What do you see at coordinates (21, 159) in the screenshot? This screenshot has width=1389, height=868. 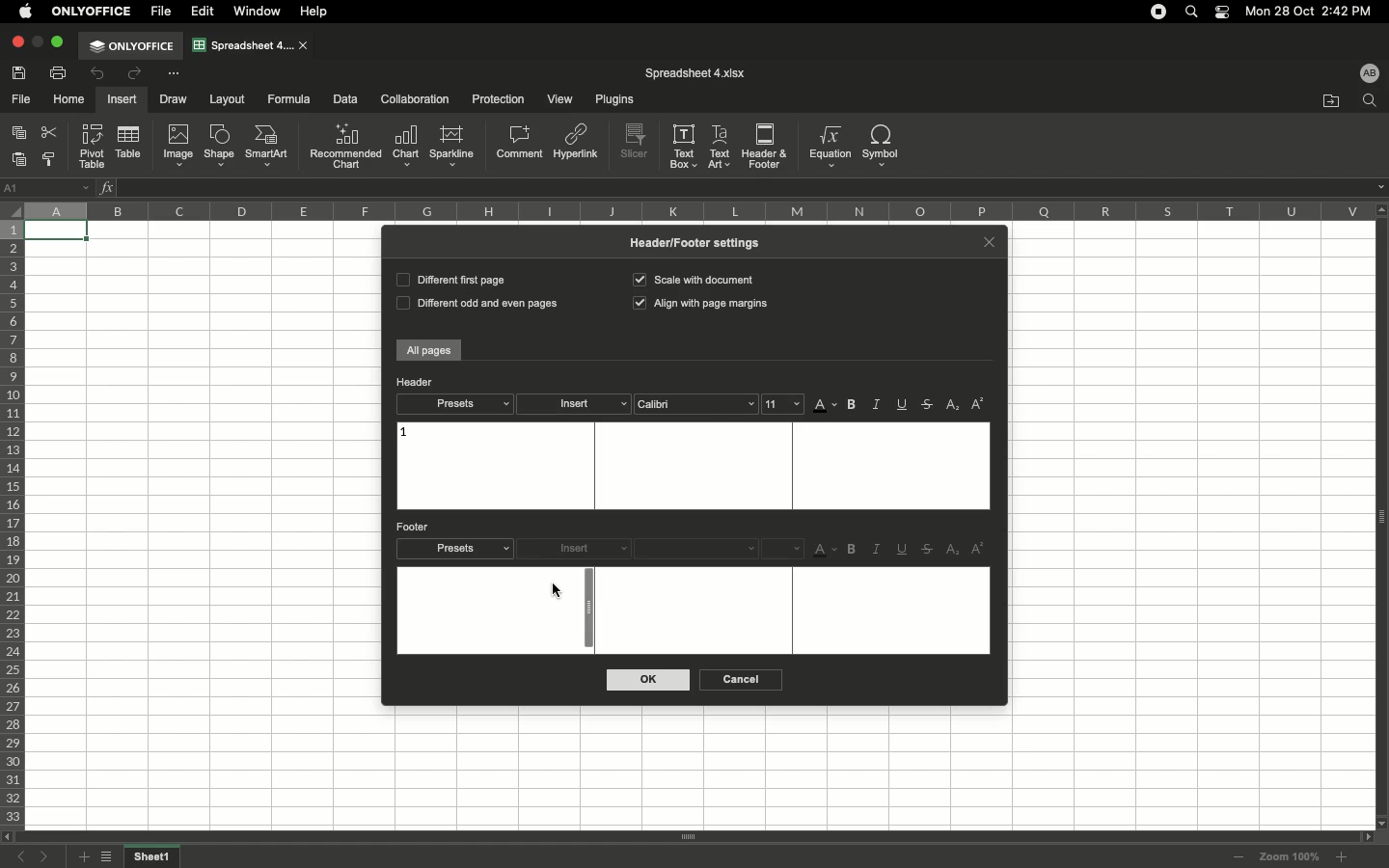 I see `Paste` at bounding box center [21, 159].